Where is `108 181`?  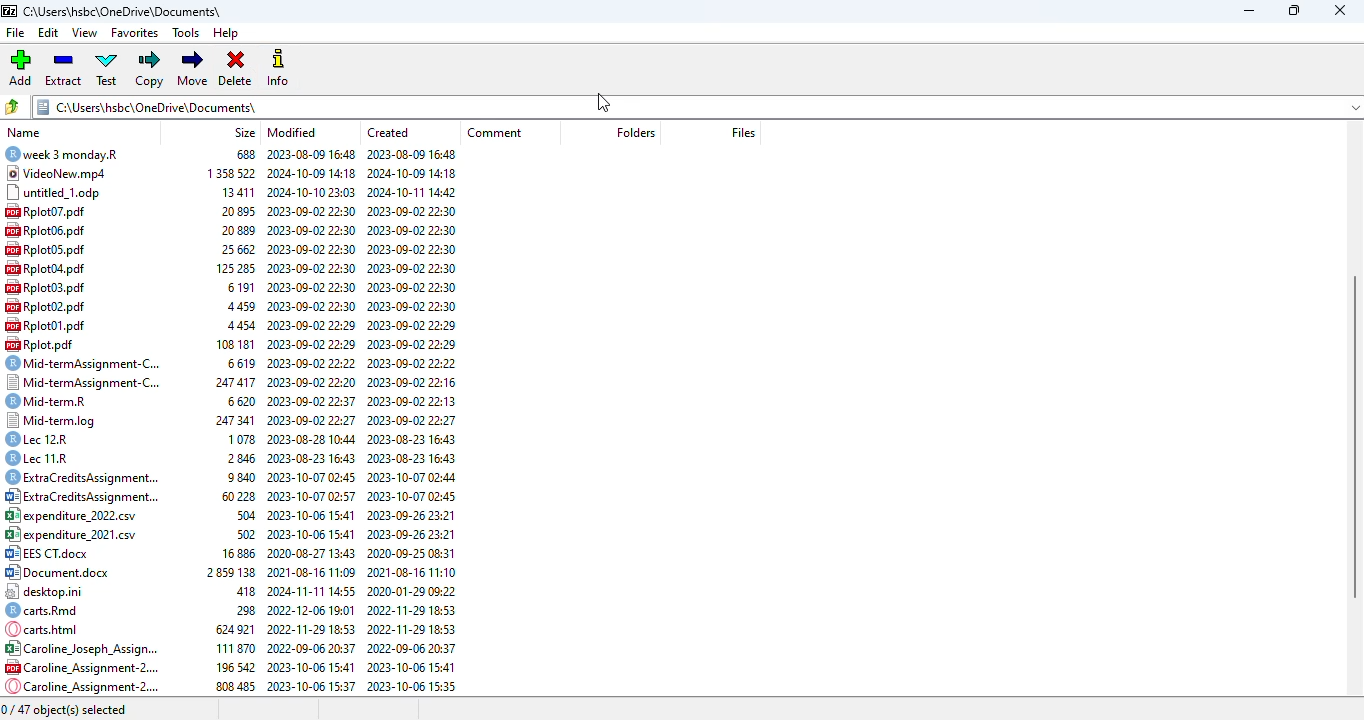
108 181 is located at coordinates (234, 343).